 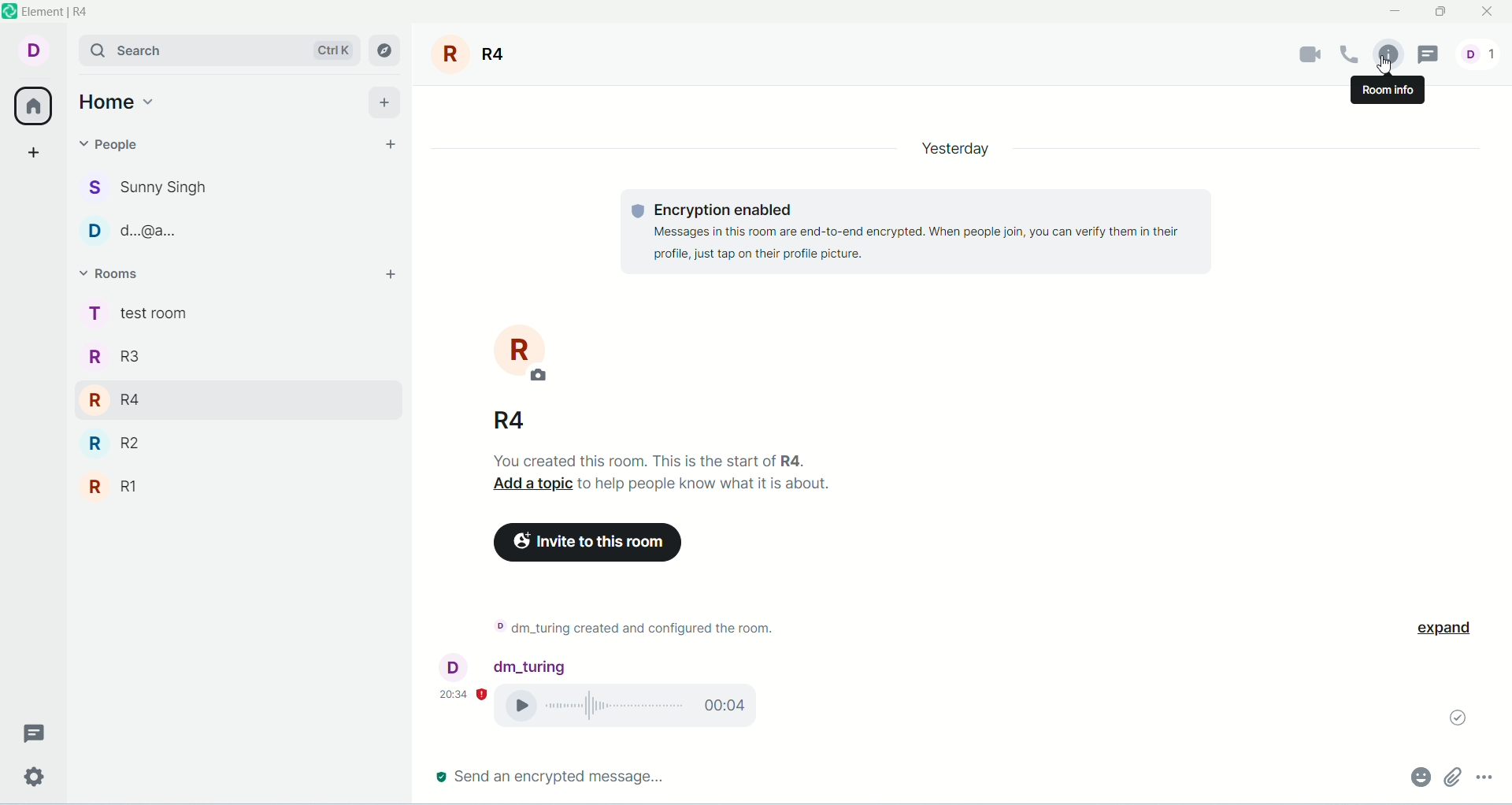 I want to click on message sent, so click(x=1455, y=717).